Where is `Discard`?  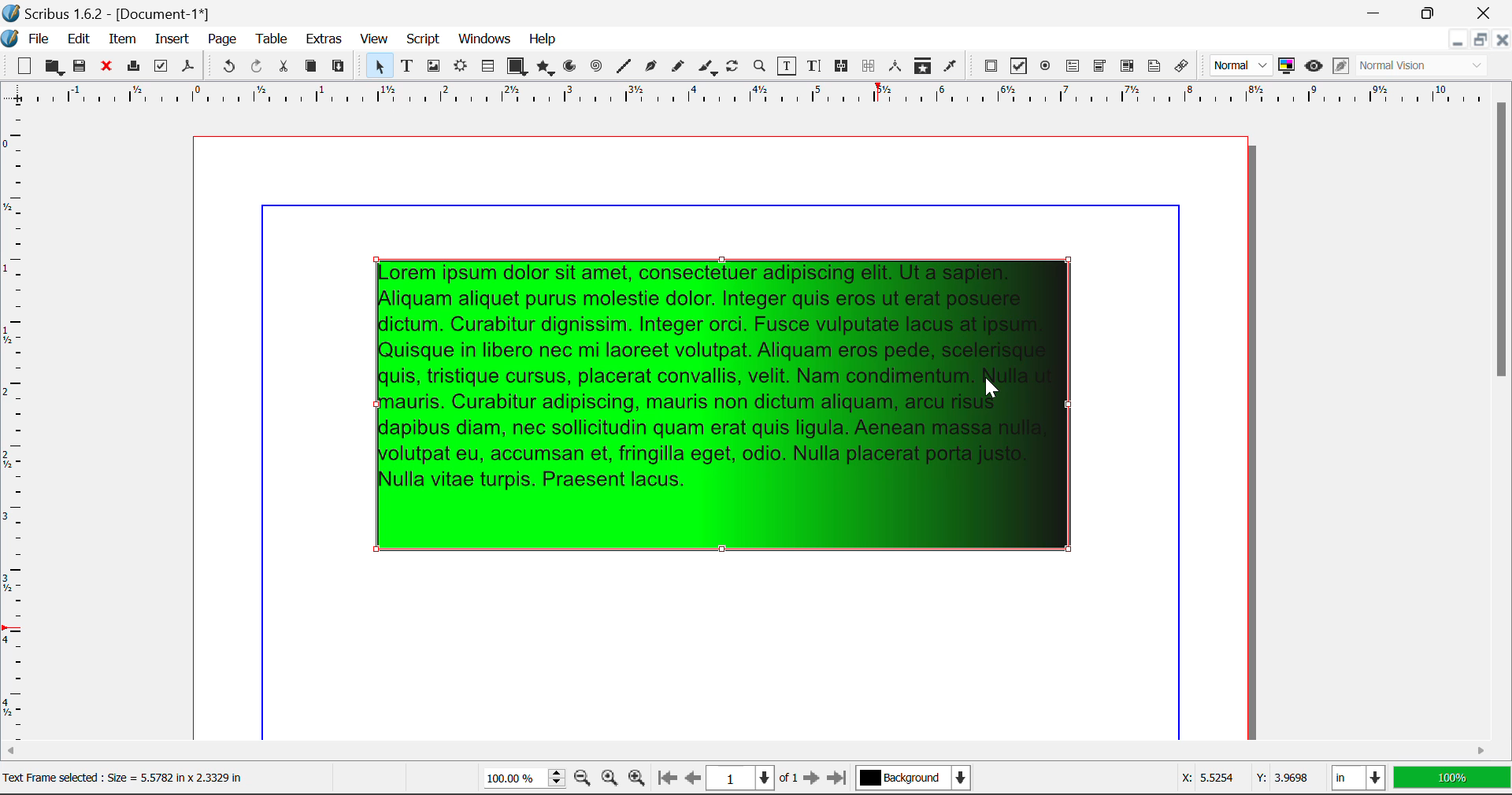
Discard is located at coordinates (106, 68).